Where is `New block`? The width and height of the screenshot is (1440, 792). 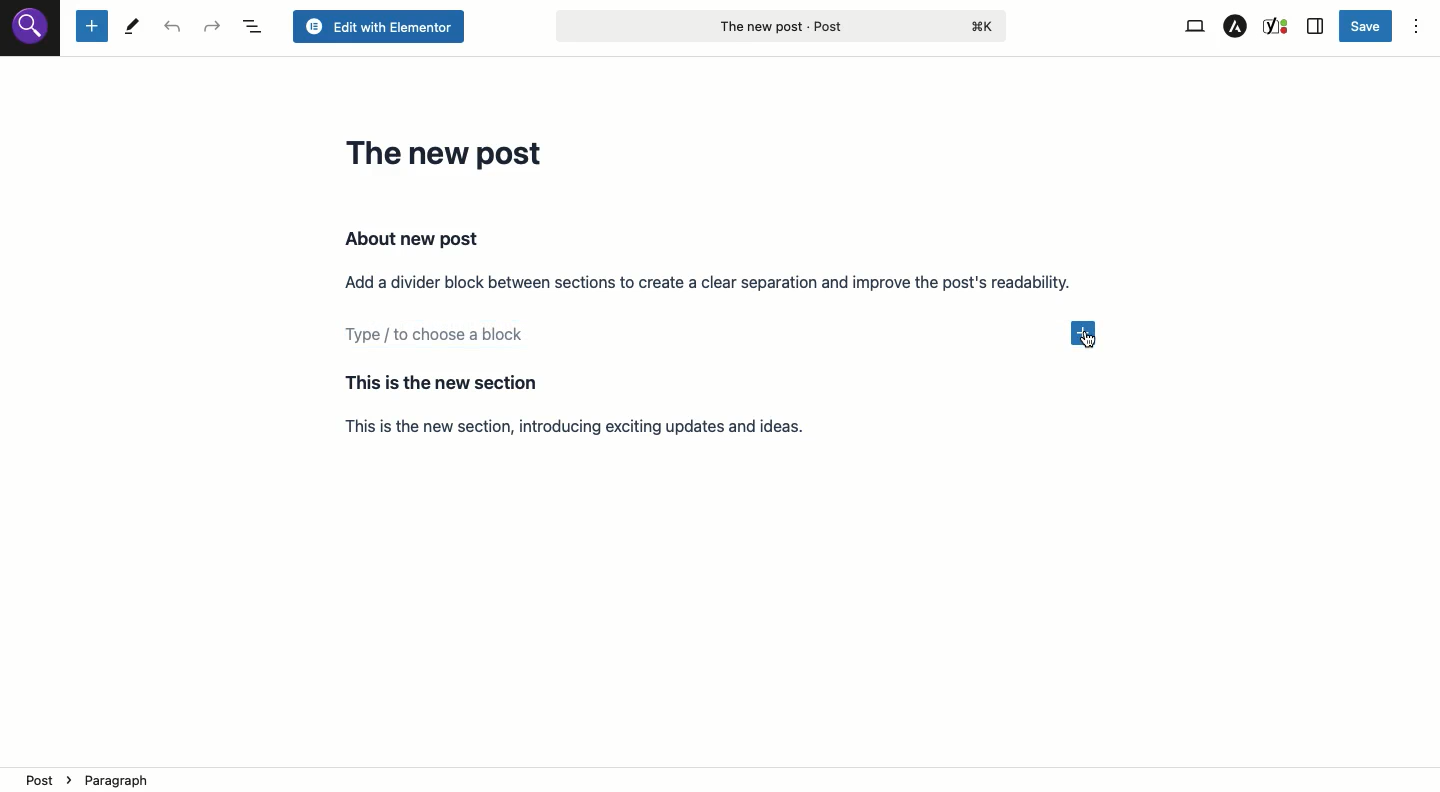
New block is located at coordinates (91, 27).